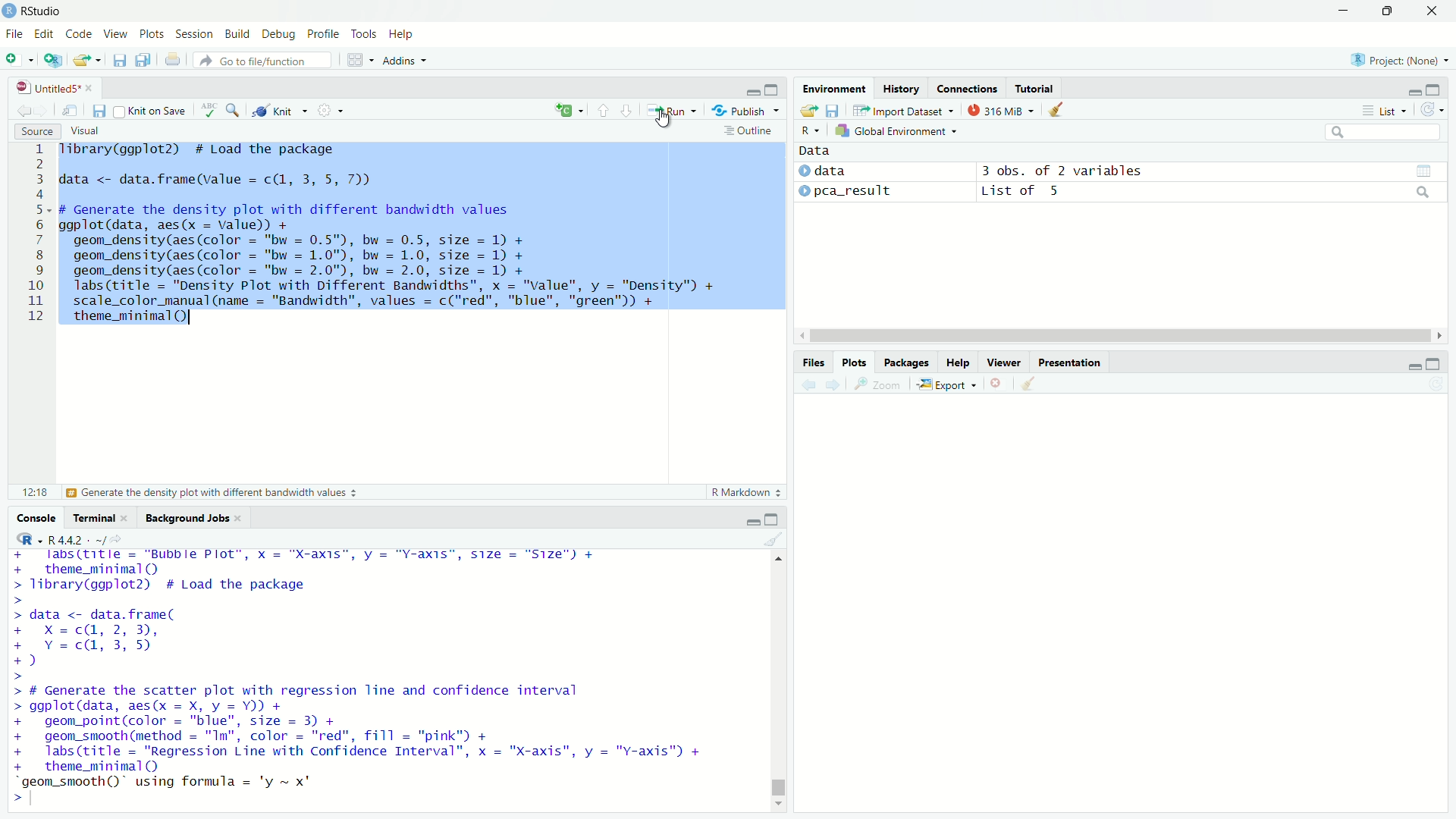 This screenshot has width=1456, height=819. Describe the element at coordinates (905, 362) in the screenshot. I see `Packages` at that location.